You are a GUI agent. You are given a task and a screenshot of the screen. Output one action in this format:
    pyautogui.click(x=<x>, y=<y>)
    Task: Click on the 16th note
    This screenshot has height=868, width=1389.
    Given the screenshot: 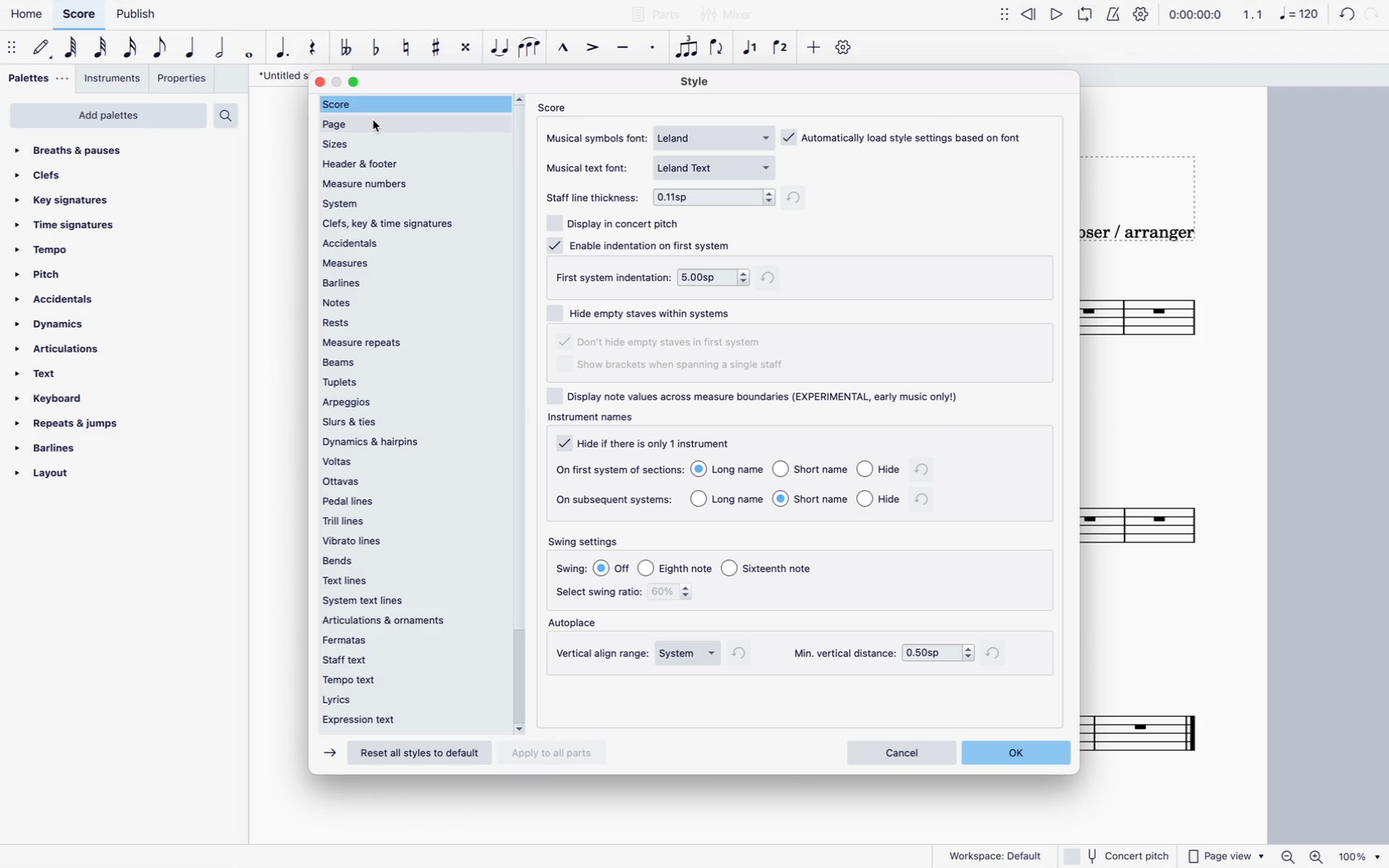 What is the action you would take?
    pyautogui.click(x=129, y=50)
    